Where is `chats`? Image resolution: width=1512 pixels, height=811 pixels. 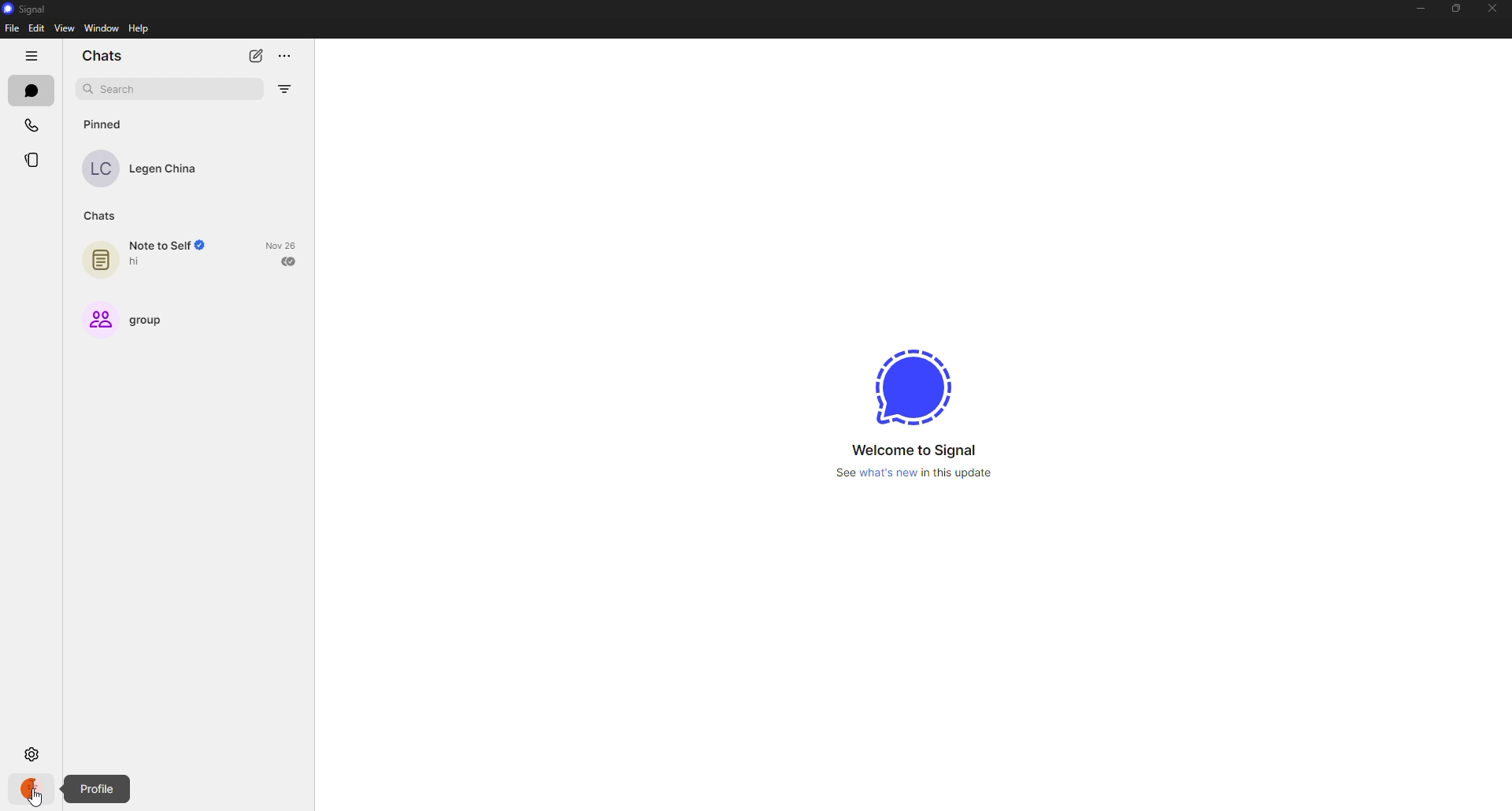
chats is located at coordinates (31, 90).